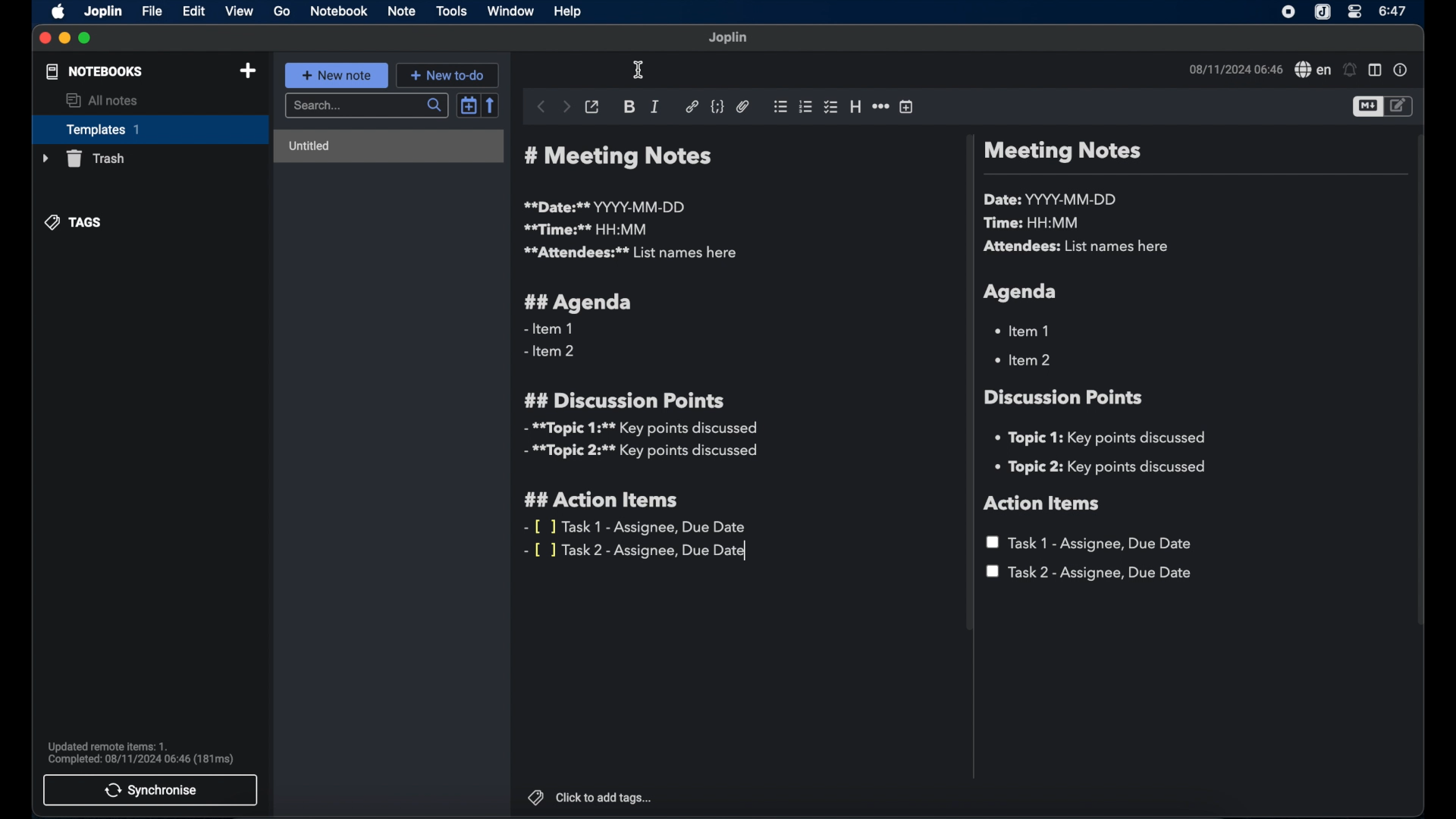  I want to click on attach file, so click(743, 107).